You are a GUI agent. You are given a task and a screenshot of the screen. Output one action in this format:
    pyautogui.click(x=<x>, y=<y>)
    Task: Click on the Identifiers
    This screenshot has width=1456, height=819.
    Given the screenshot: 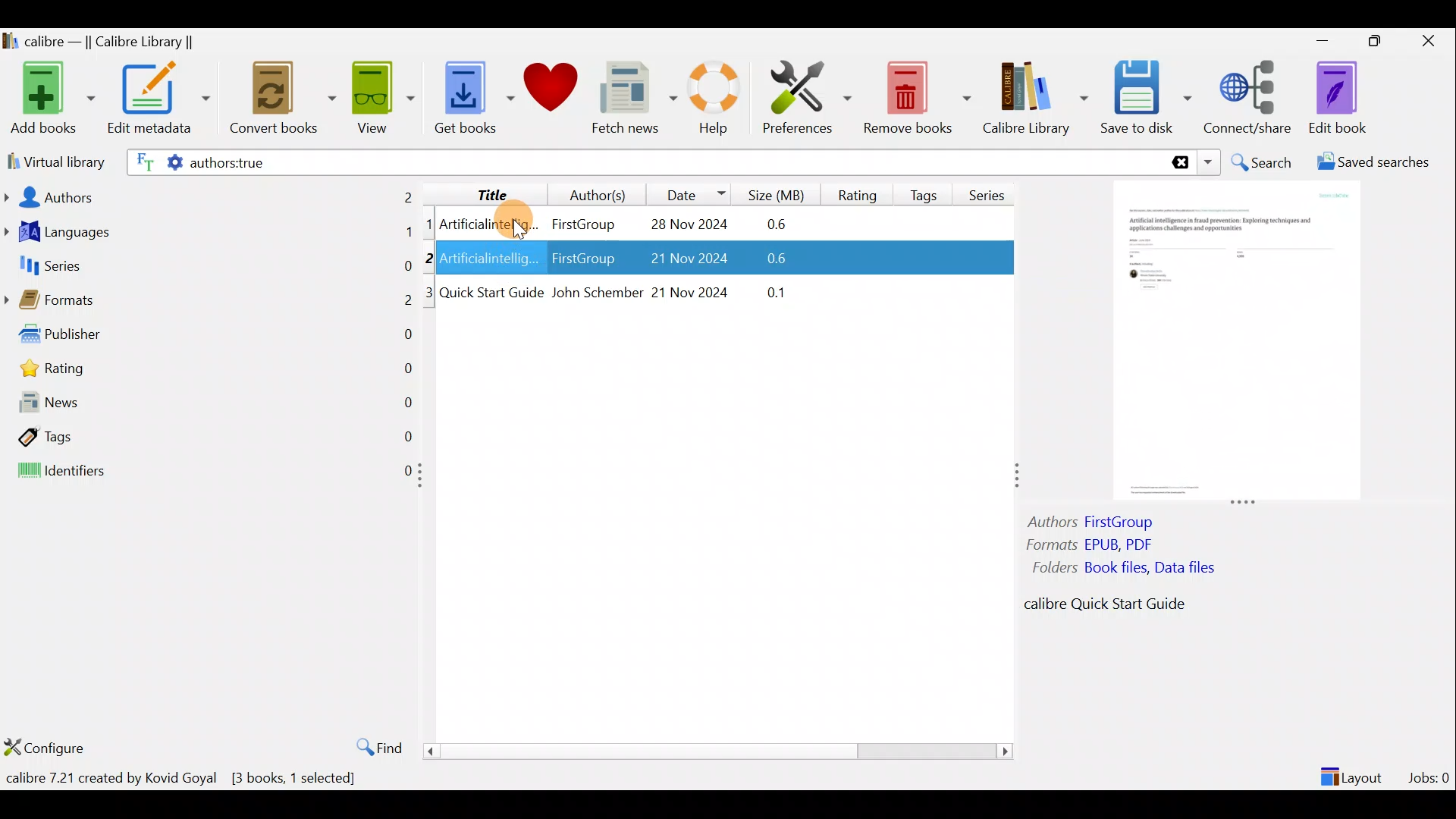 What is the action you would take?
    pyautogui.click(x=206, y=472)
    